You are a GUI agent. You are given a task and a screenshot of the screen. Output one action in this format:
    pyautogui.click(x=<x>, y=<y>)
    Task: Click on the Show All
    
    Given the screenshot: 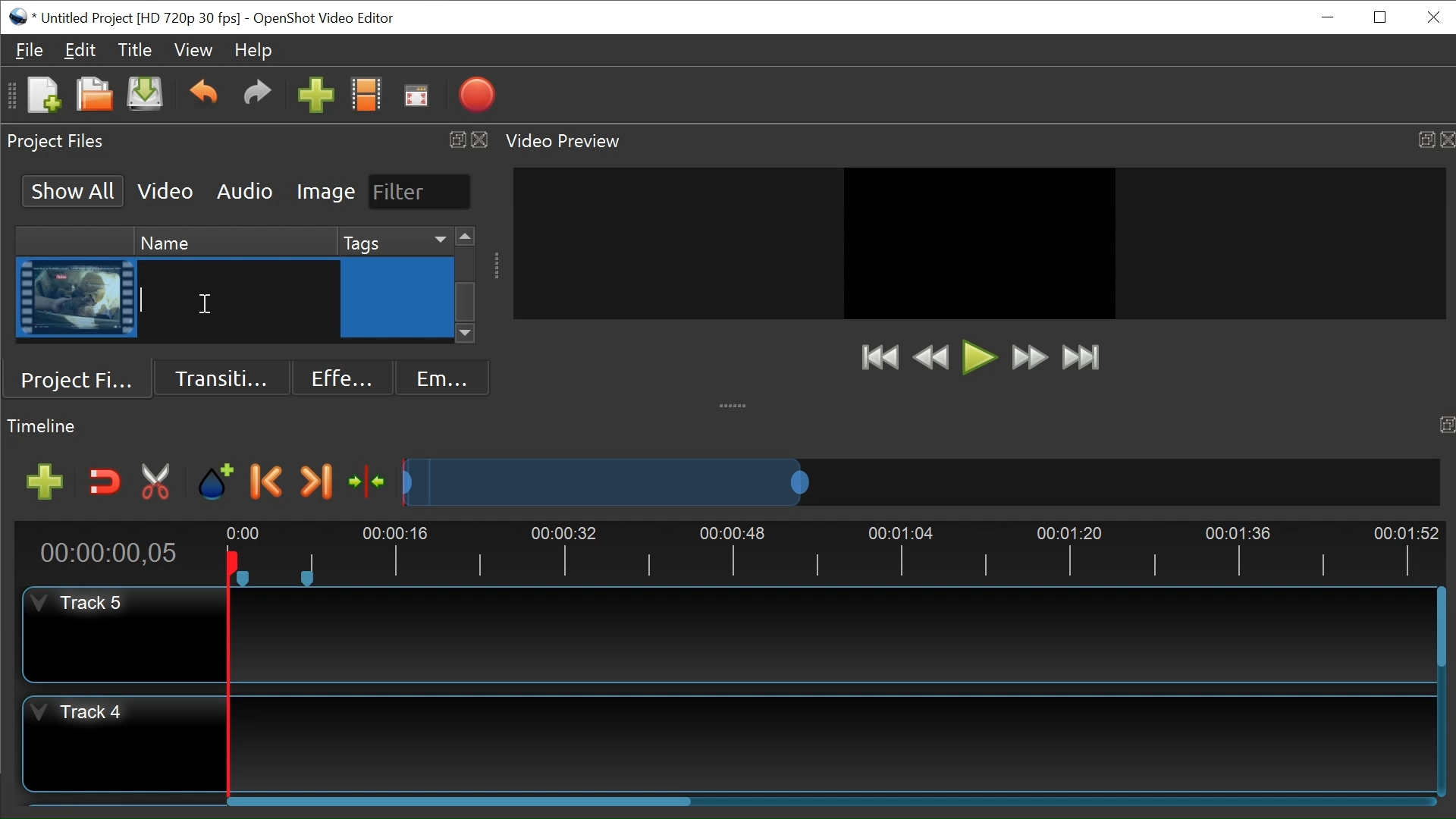 What is the action you would take?
    pyautogui.click(x=70, y=190)
    